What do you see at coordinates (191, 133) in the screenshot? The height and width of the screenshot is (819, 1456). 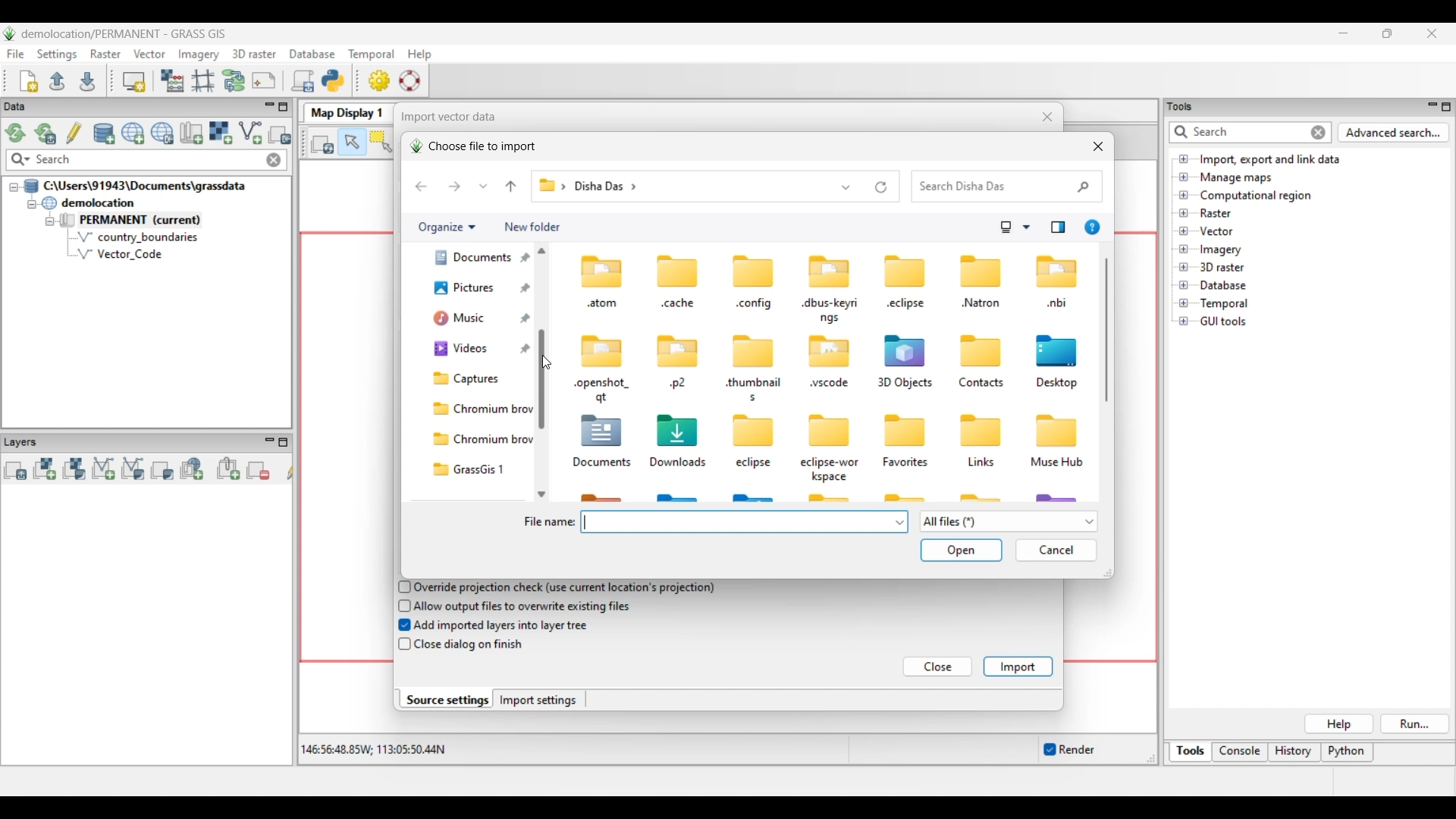 I see `Create new map set in current project` at bounding box center [191, 133].